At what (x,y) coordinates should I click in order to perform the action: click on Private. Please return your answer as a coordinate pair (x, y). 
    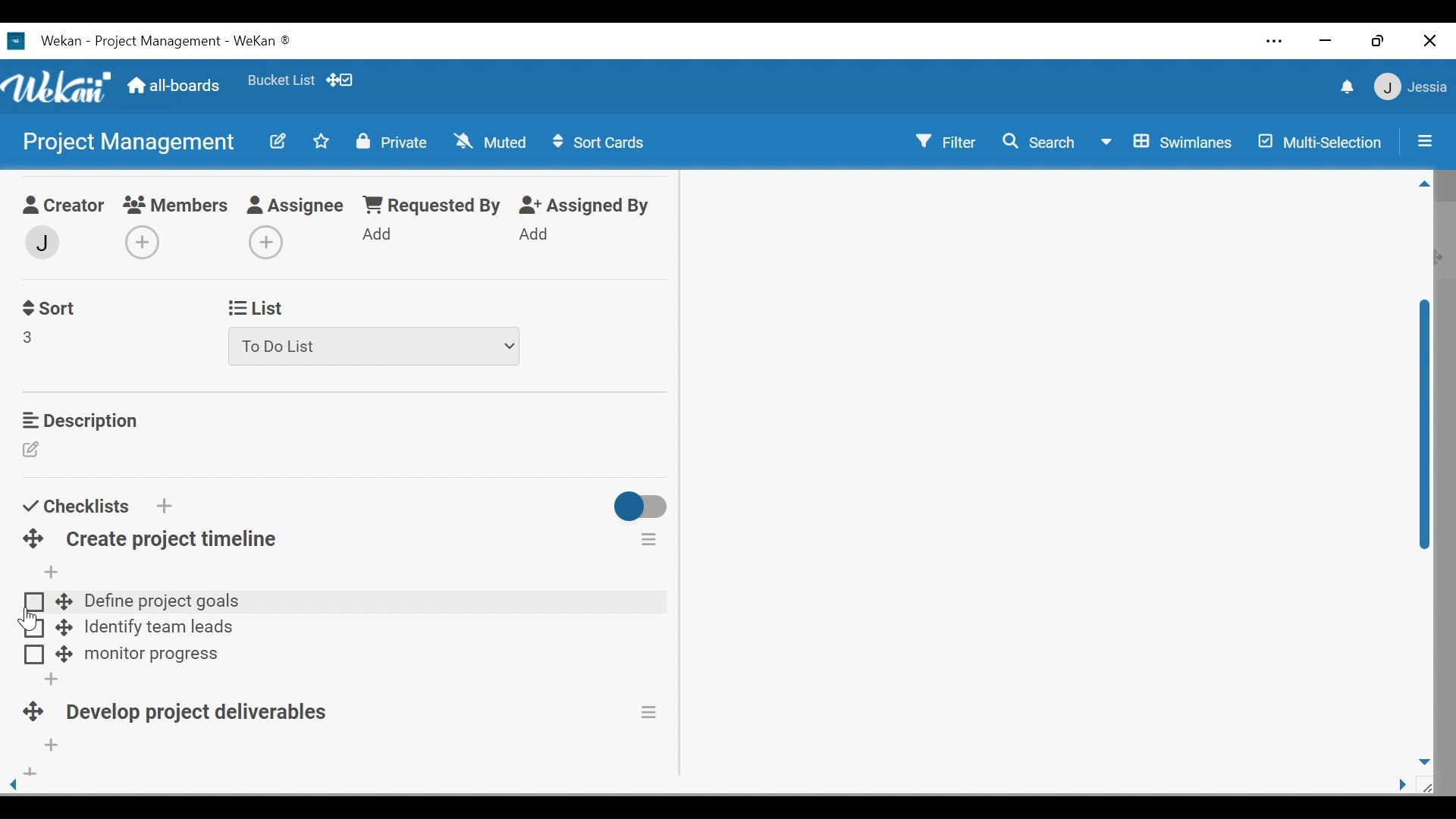
    Looking at the image, I should click on (391, 143).